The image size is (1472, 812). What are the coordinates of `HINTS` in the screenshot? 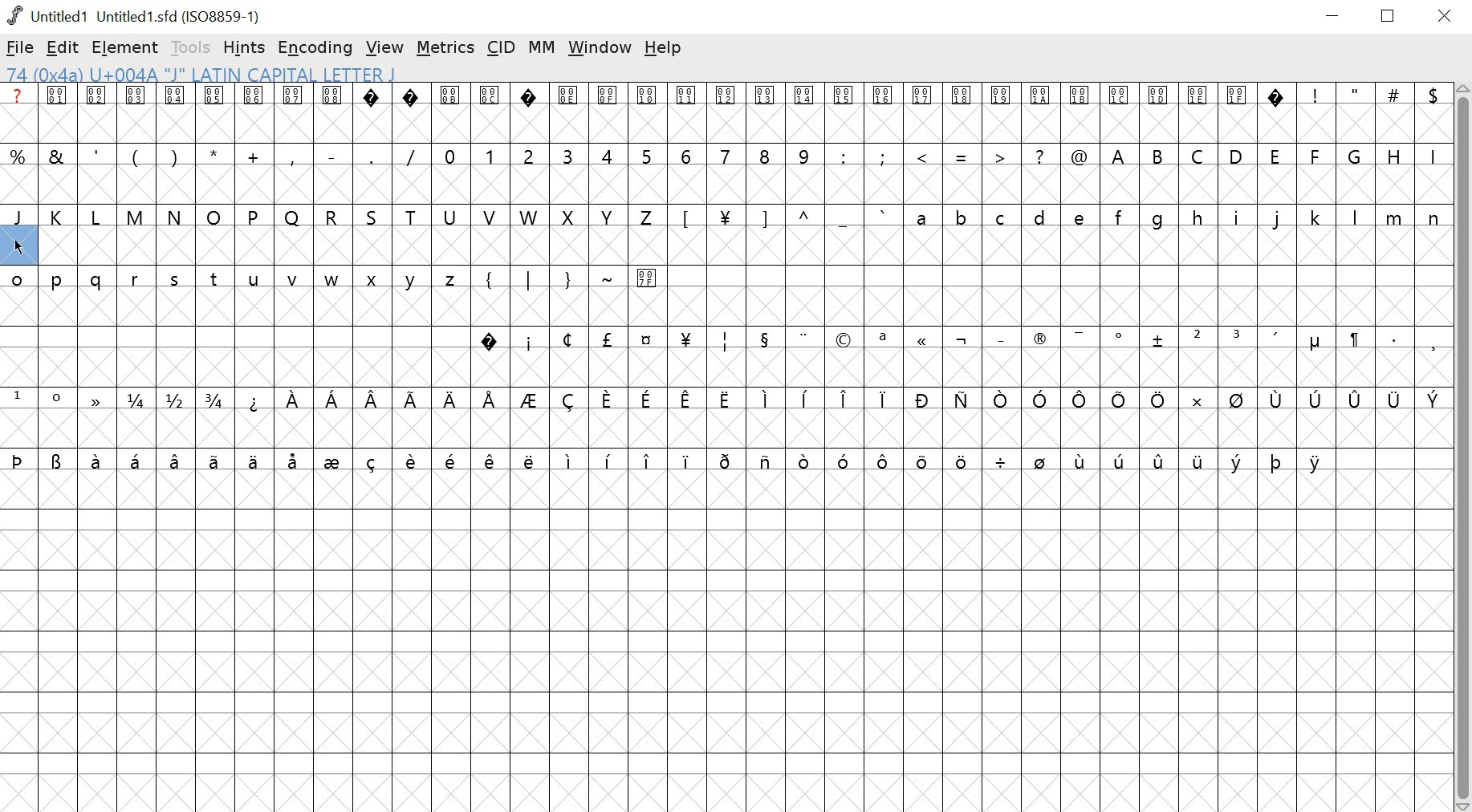 It's located at (246, 49).